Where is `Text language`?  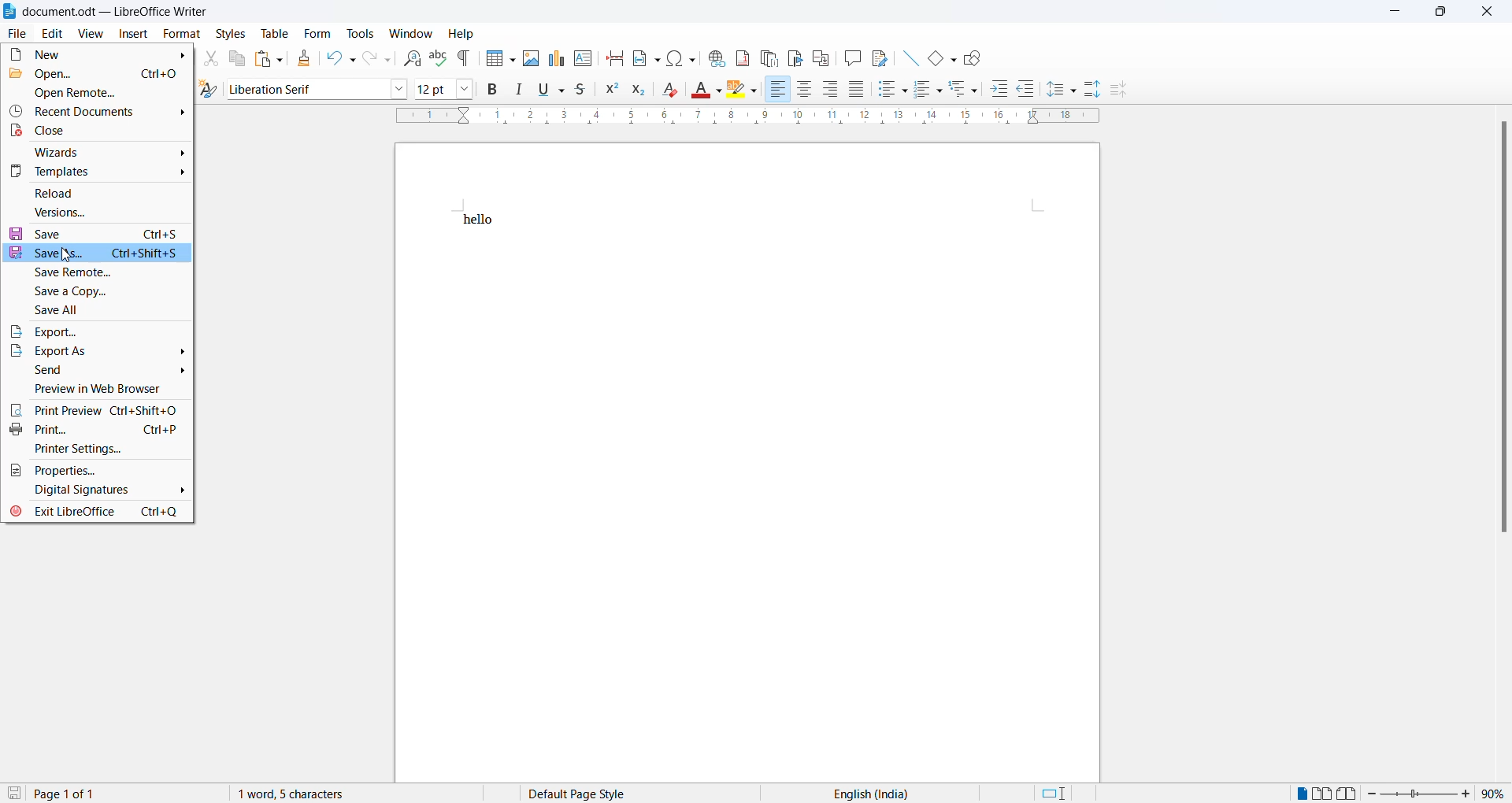
Text language is located at coordinates (867, 793).